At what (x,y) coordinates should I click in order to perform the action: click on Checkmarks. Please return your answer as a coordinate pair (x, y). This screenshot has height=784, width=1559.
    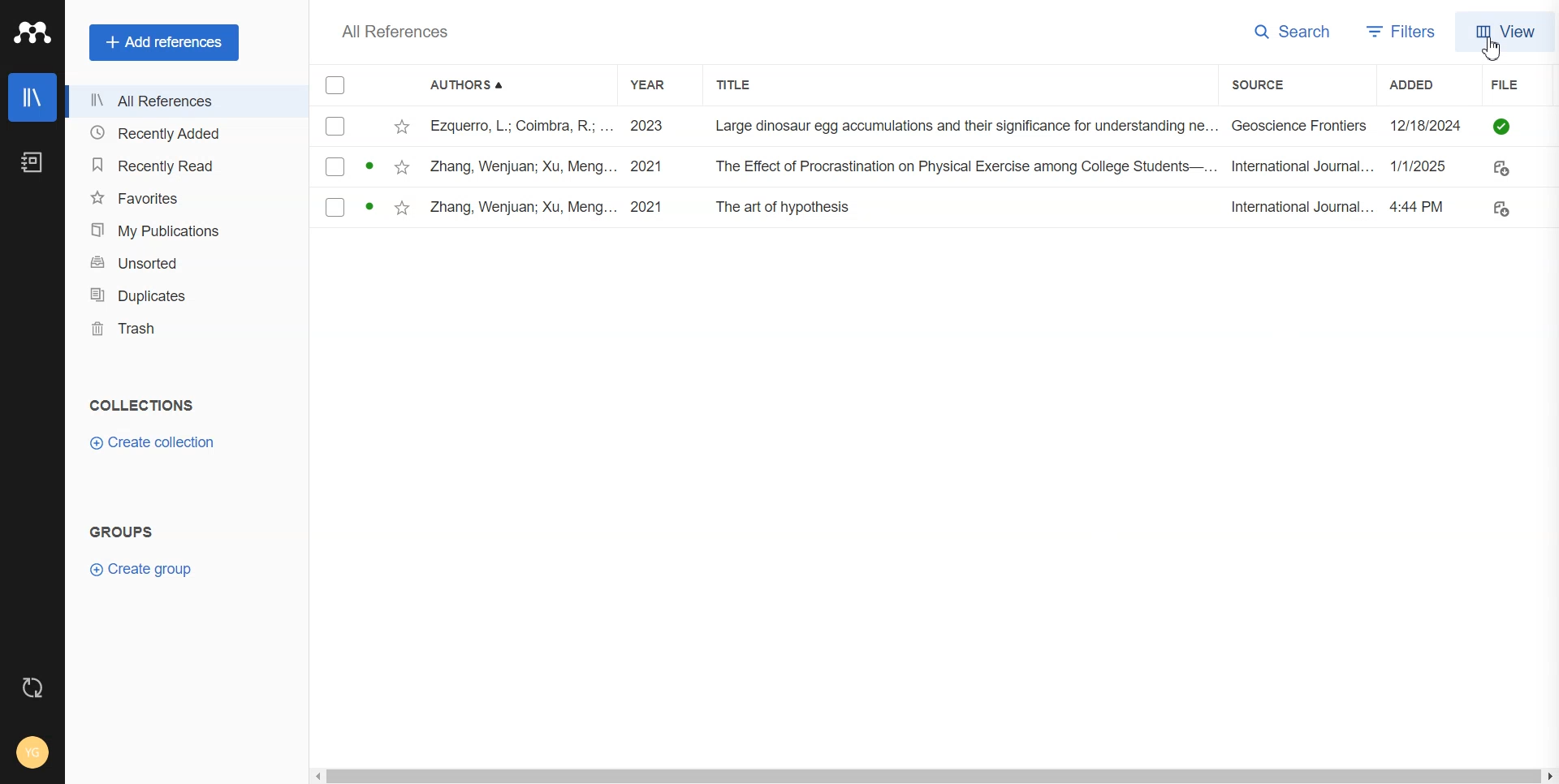
    Looking at the image, I should click on (336, 85).